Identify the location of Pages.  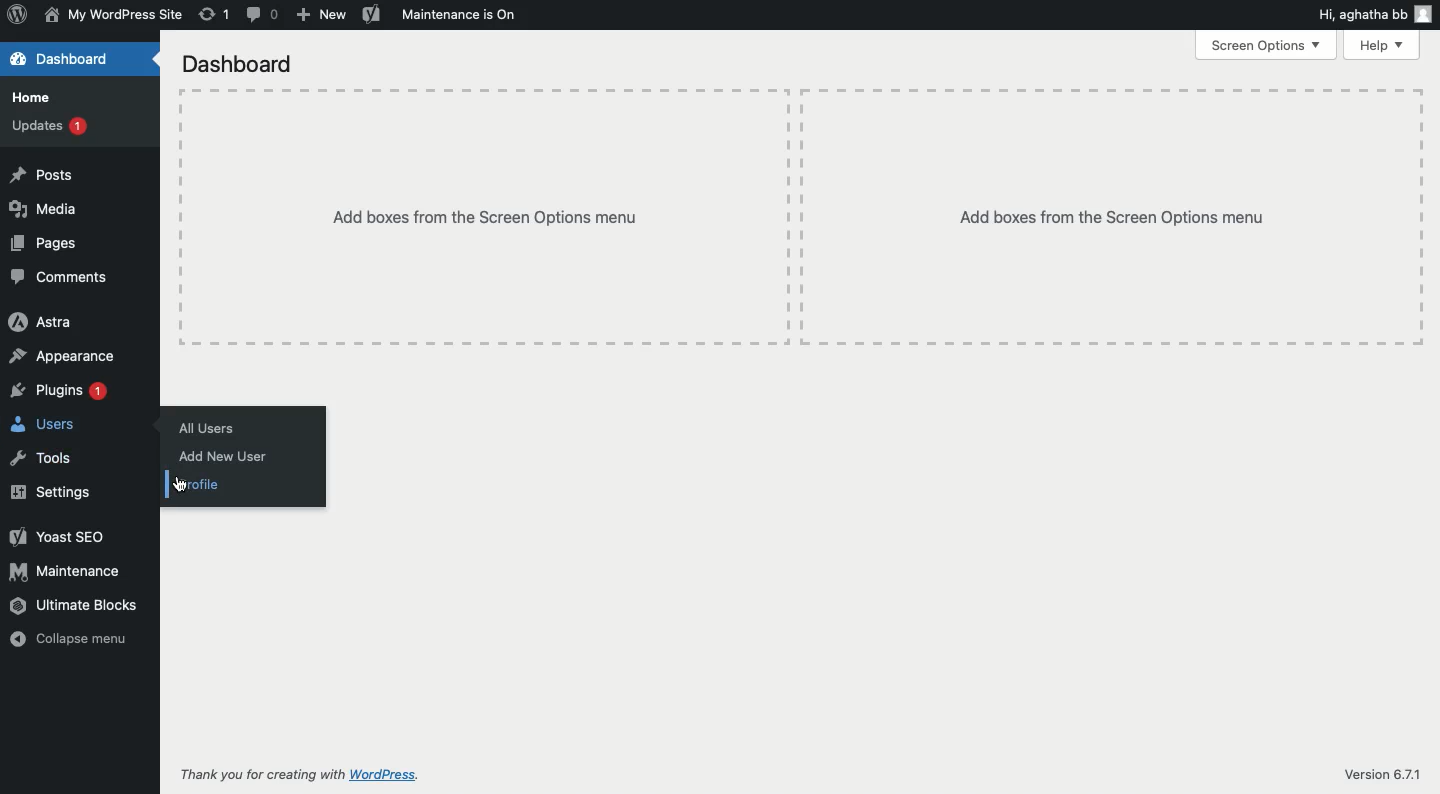
(45, 245).